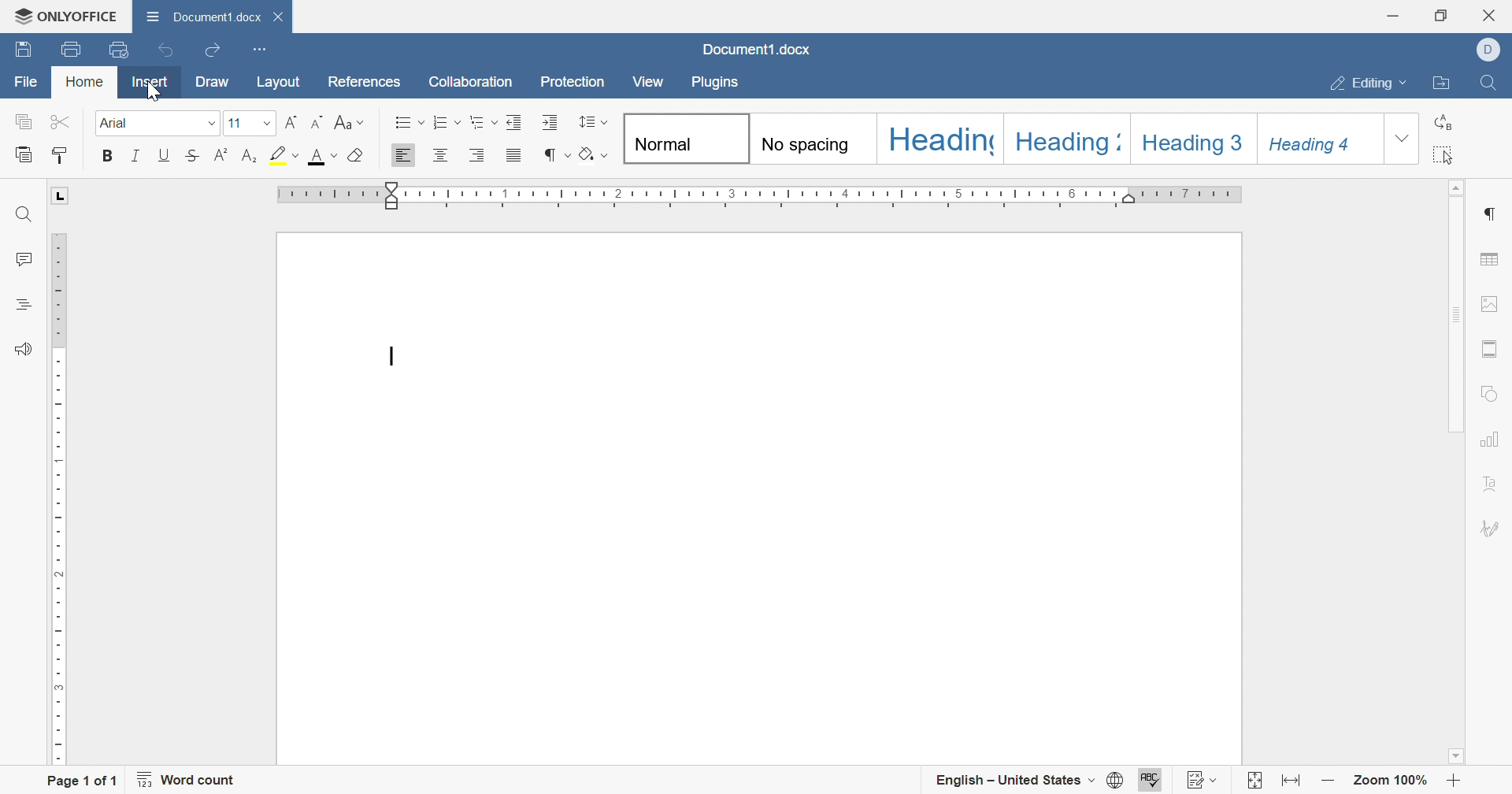 This screenshot has height=794, width=1512. I want to click on Highlight color, so click(281, 155).